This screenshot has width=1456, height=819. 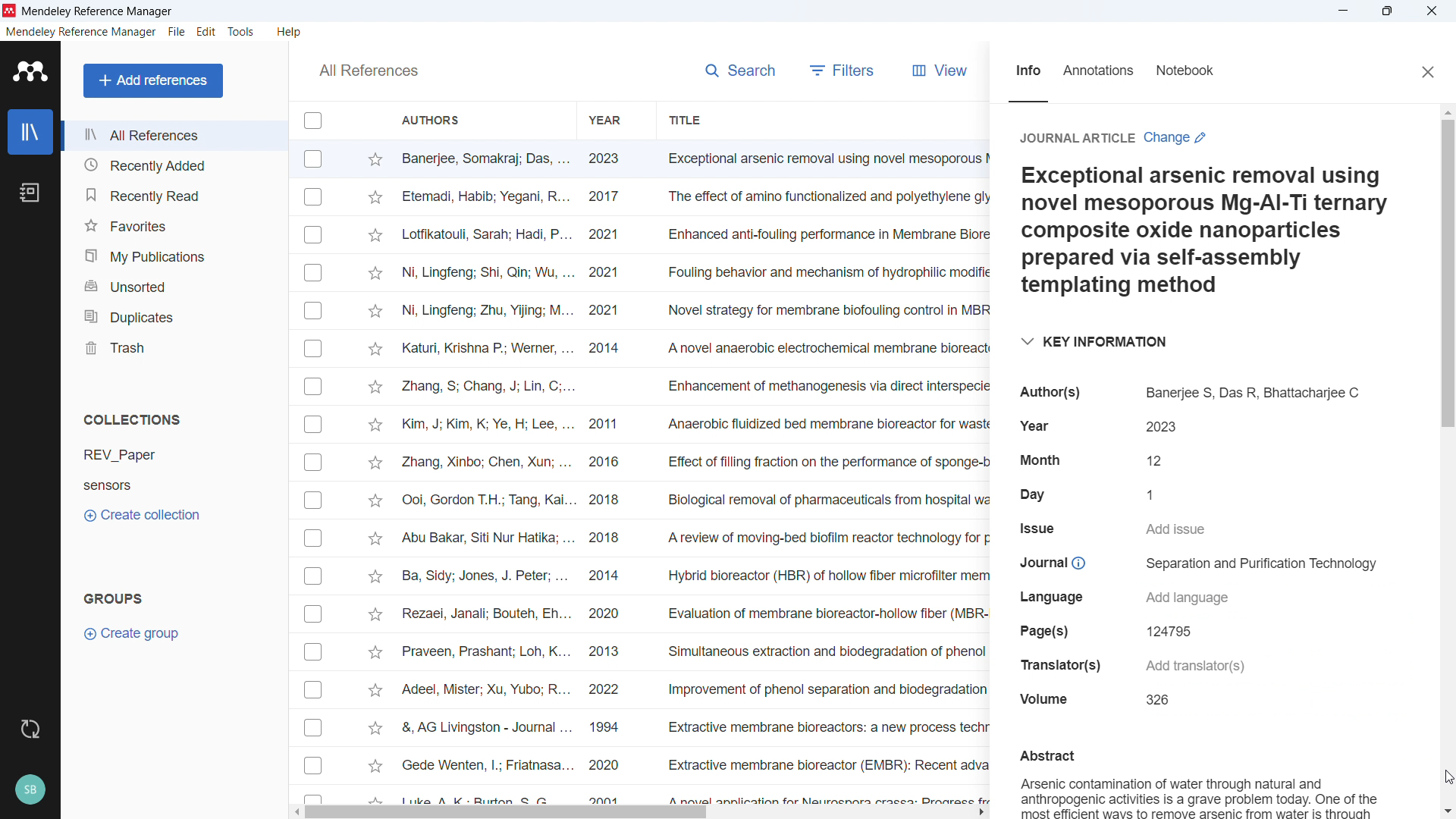 What do you see at coordinates (827, 348) in the screenshot?
I see `a novel anaerobic electrochemical membrane bioreactor with con` at bounding box center [827, 348].